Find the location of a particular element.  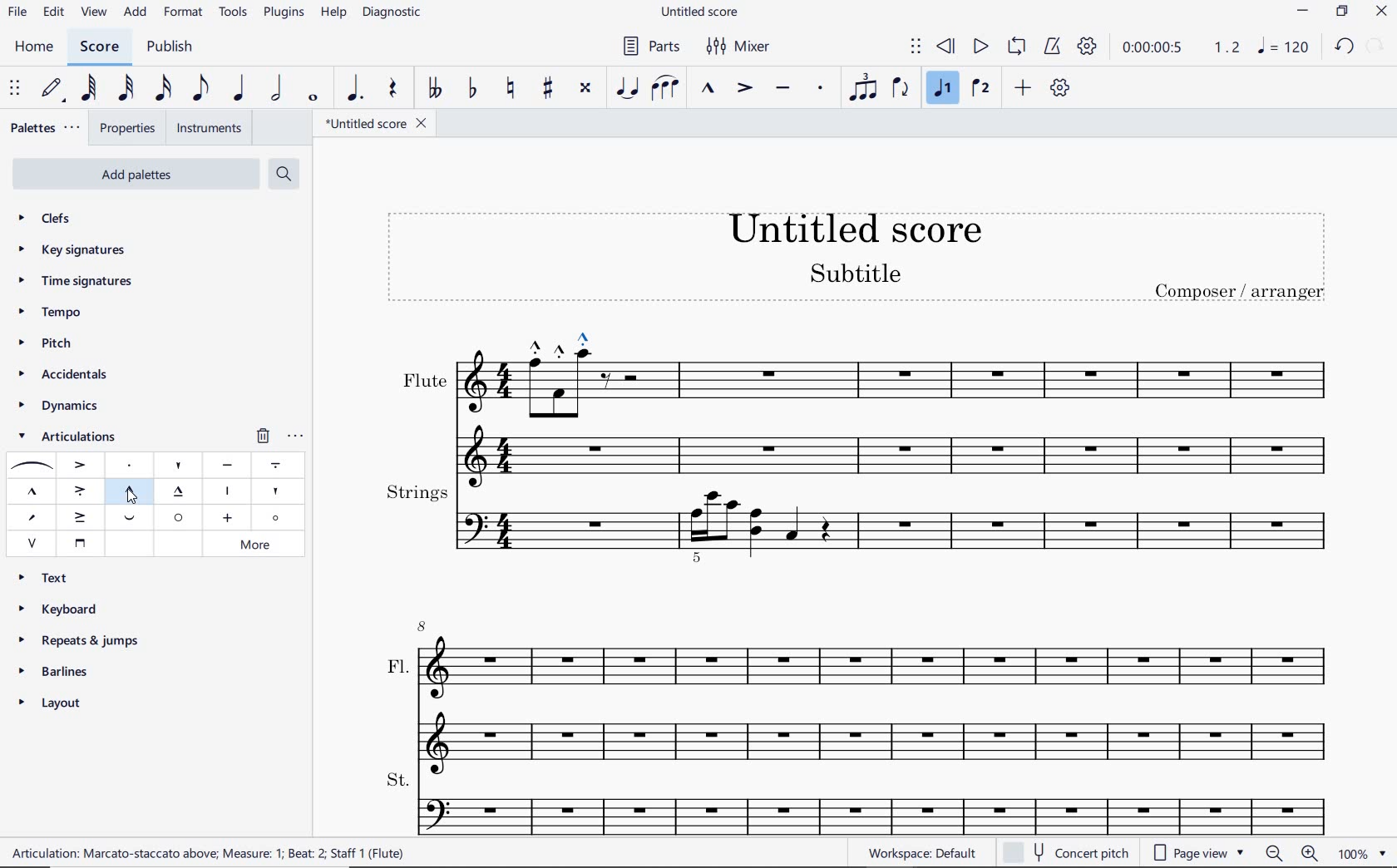

workspace default is located at coordinates (922, 853).